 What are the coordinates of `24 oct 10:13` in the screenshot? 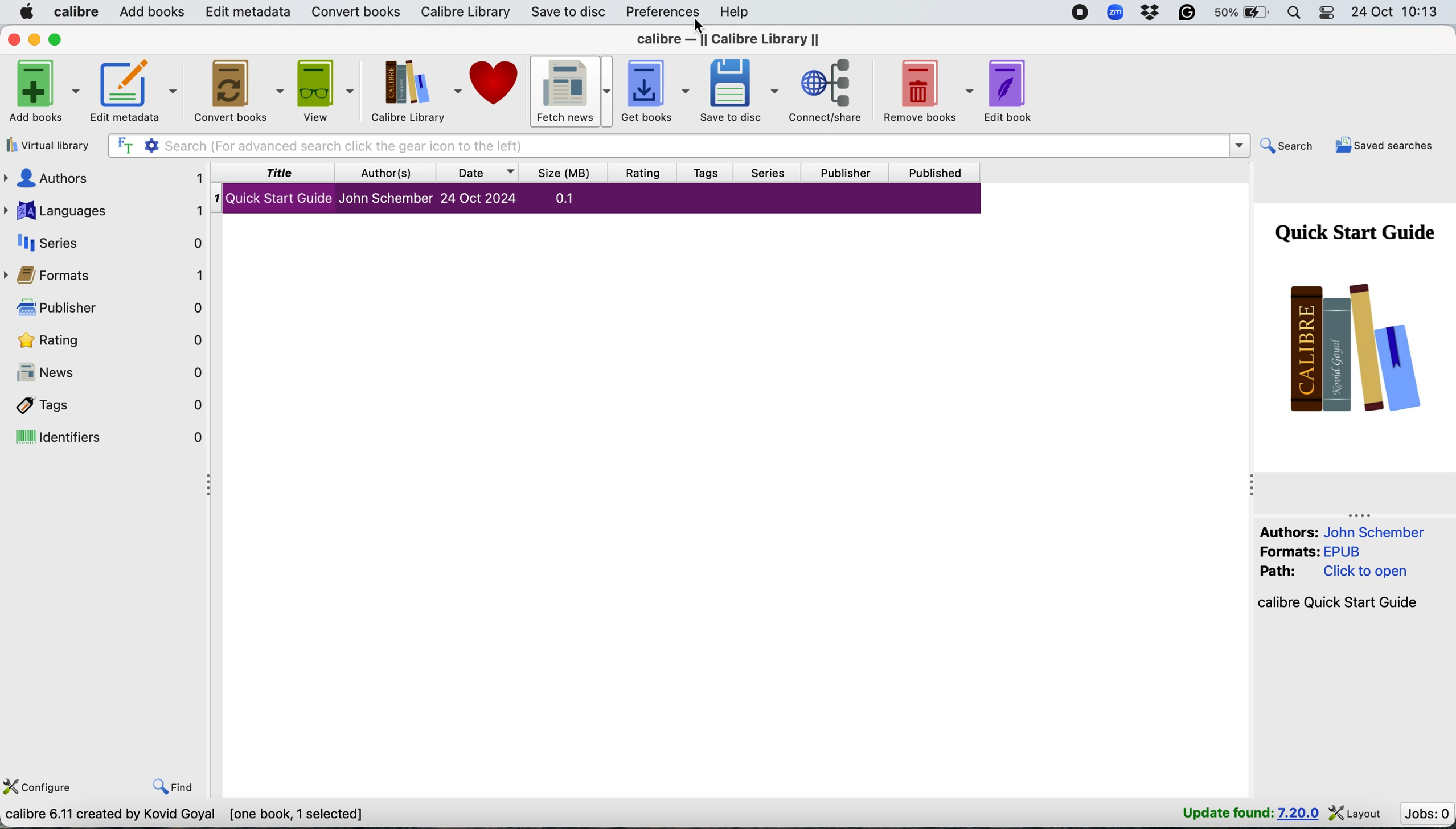 It's located at (1397, 14).